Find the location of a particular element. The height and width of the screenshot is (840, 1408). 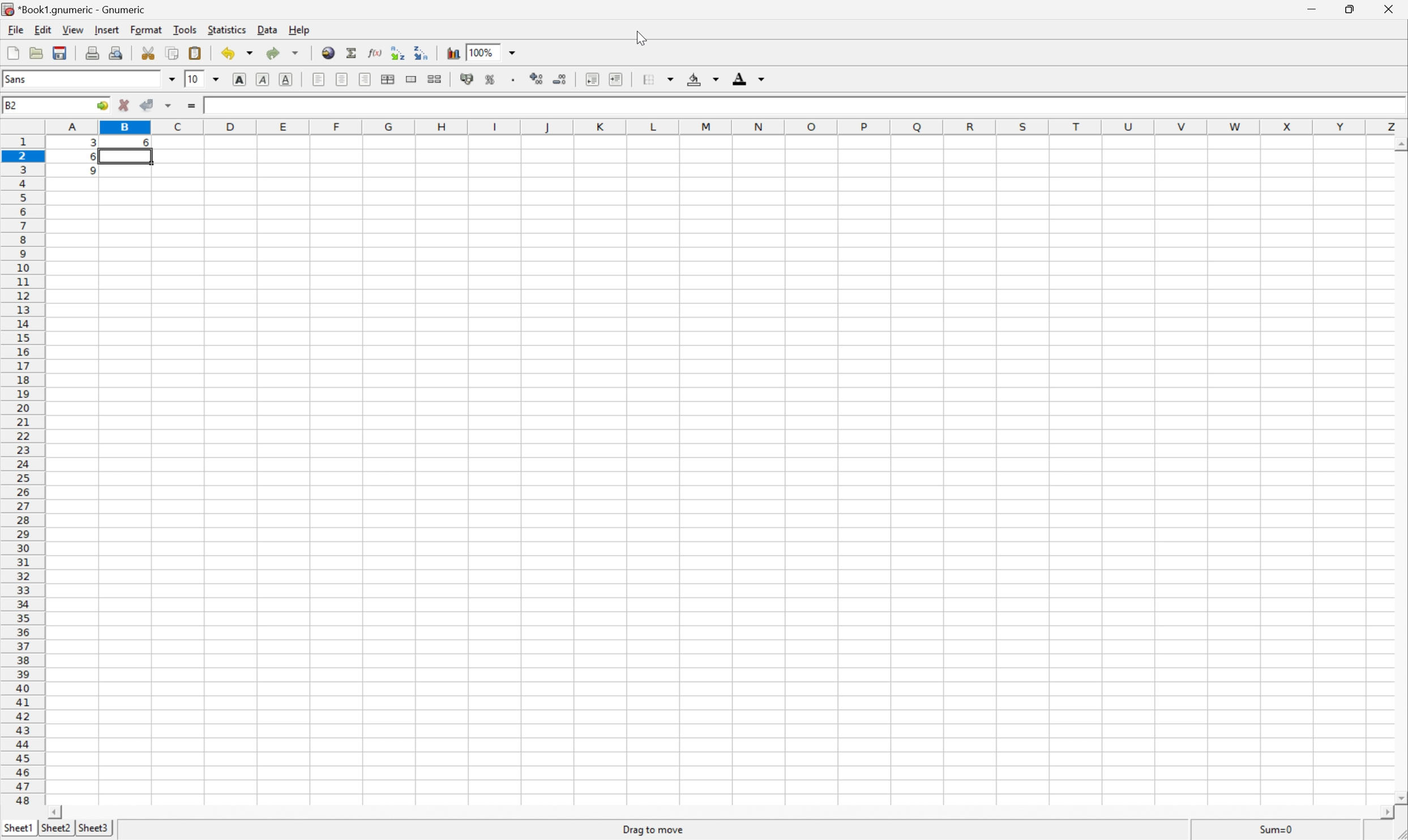

Cancel changes is located at coordinates (125, 104).